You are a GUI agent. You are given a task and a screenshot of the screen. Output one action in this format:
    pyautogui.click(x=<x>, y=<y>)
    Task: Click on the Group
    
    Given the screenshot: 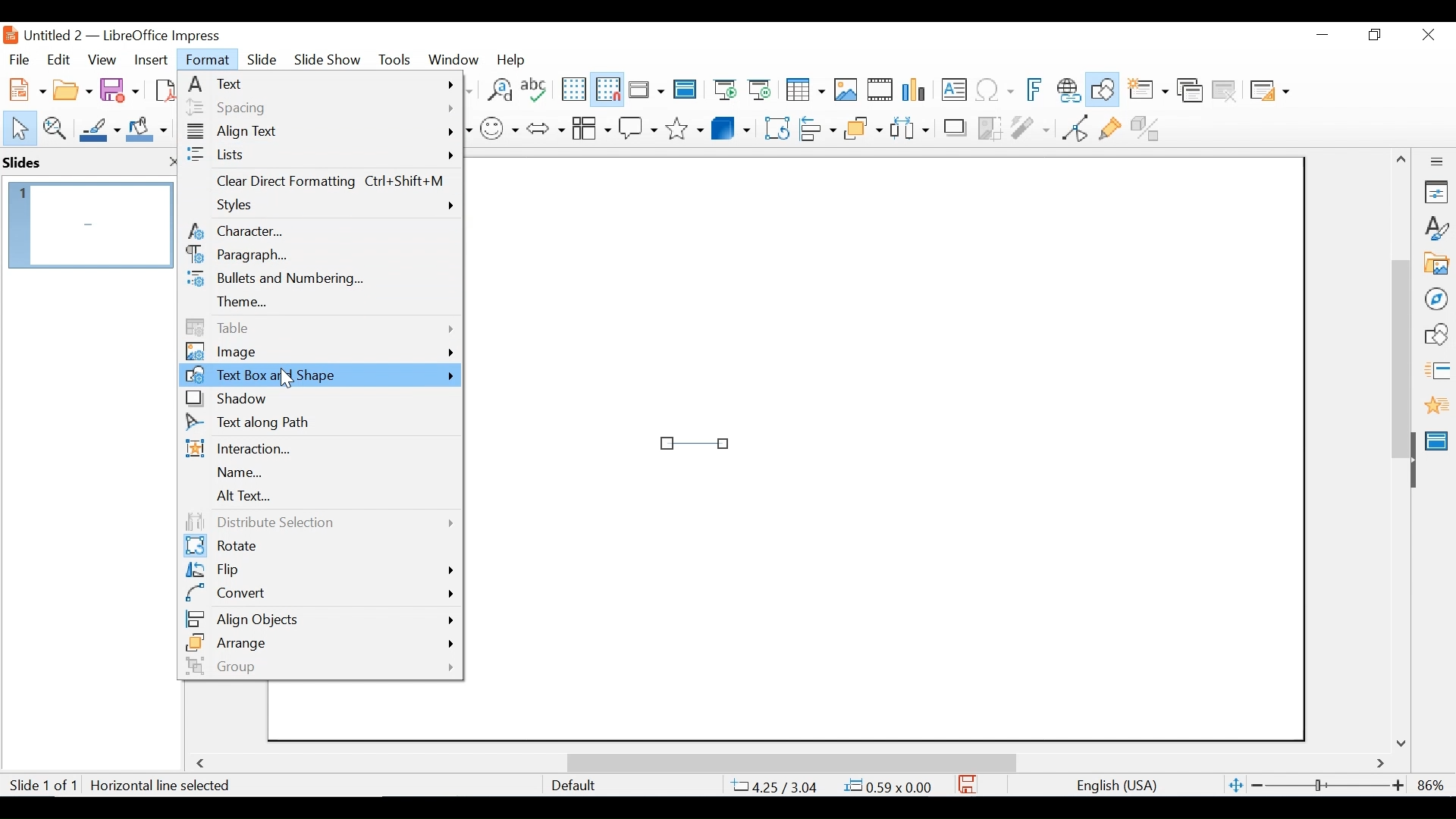 What is the action you would take?
    pyautogui.click(x=318, y=666)
    